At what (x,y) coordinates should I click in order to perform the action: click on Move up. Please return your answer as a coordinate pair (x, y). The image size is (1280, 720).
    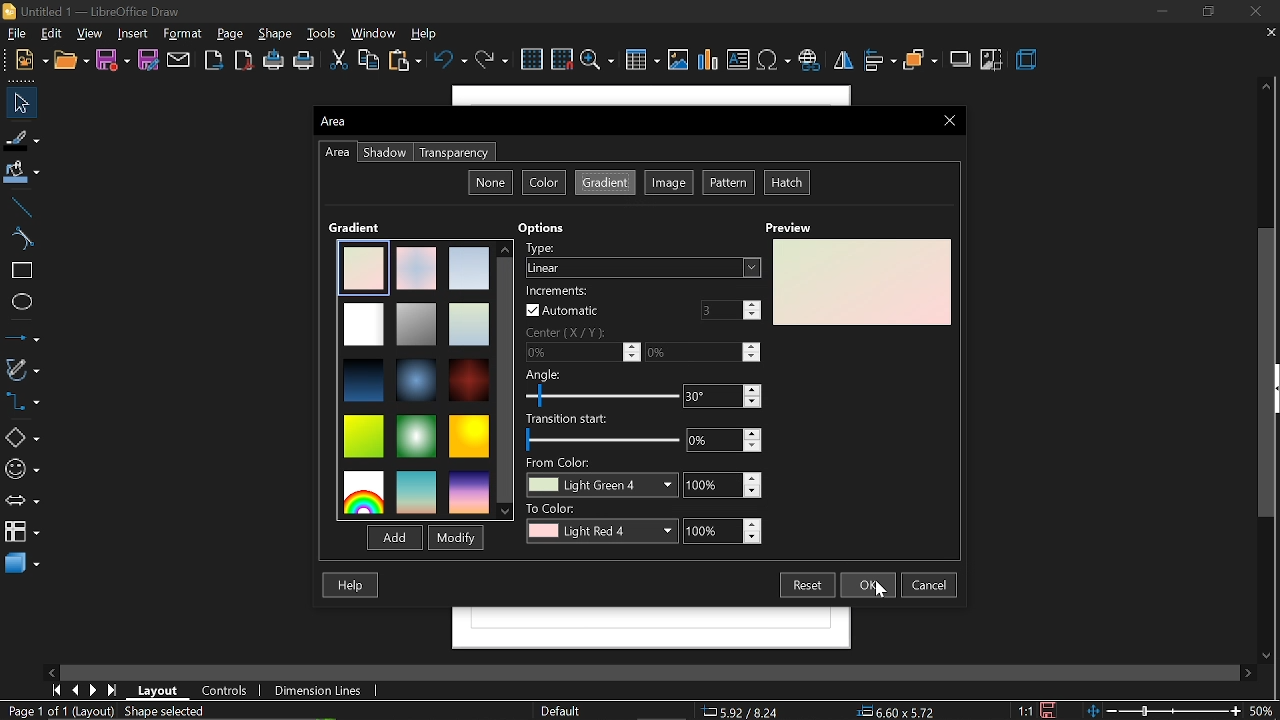
    Looking at the image, I should click on (1265, 87).